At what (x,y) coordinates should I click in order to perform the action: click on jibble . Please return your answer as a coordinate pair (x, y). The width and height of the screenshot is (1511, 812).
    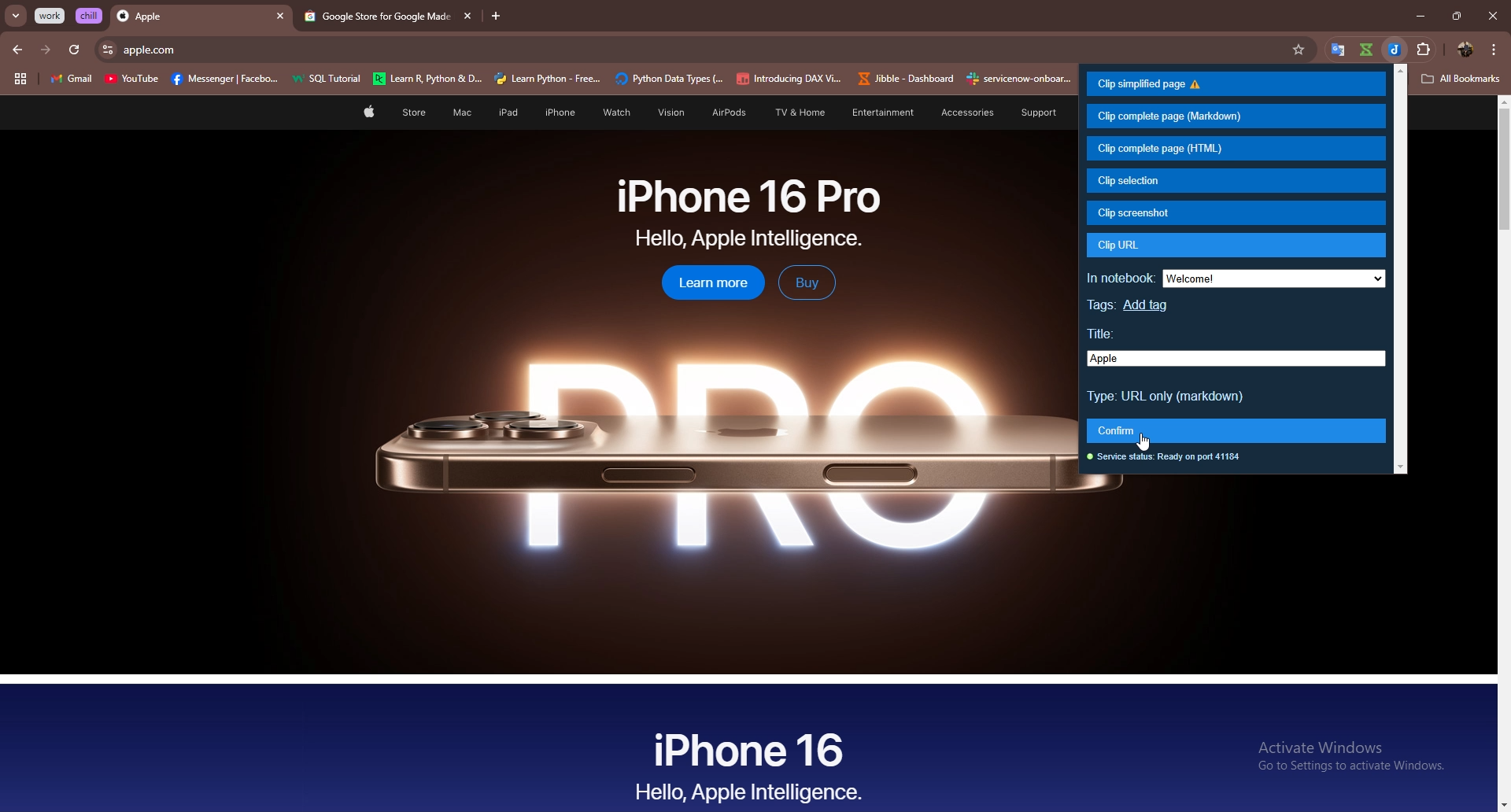
    Looking at the image, I should click on (1396, 50).